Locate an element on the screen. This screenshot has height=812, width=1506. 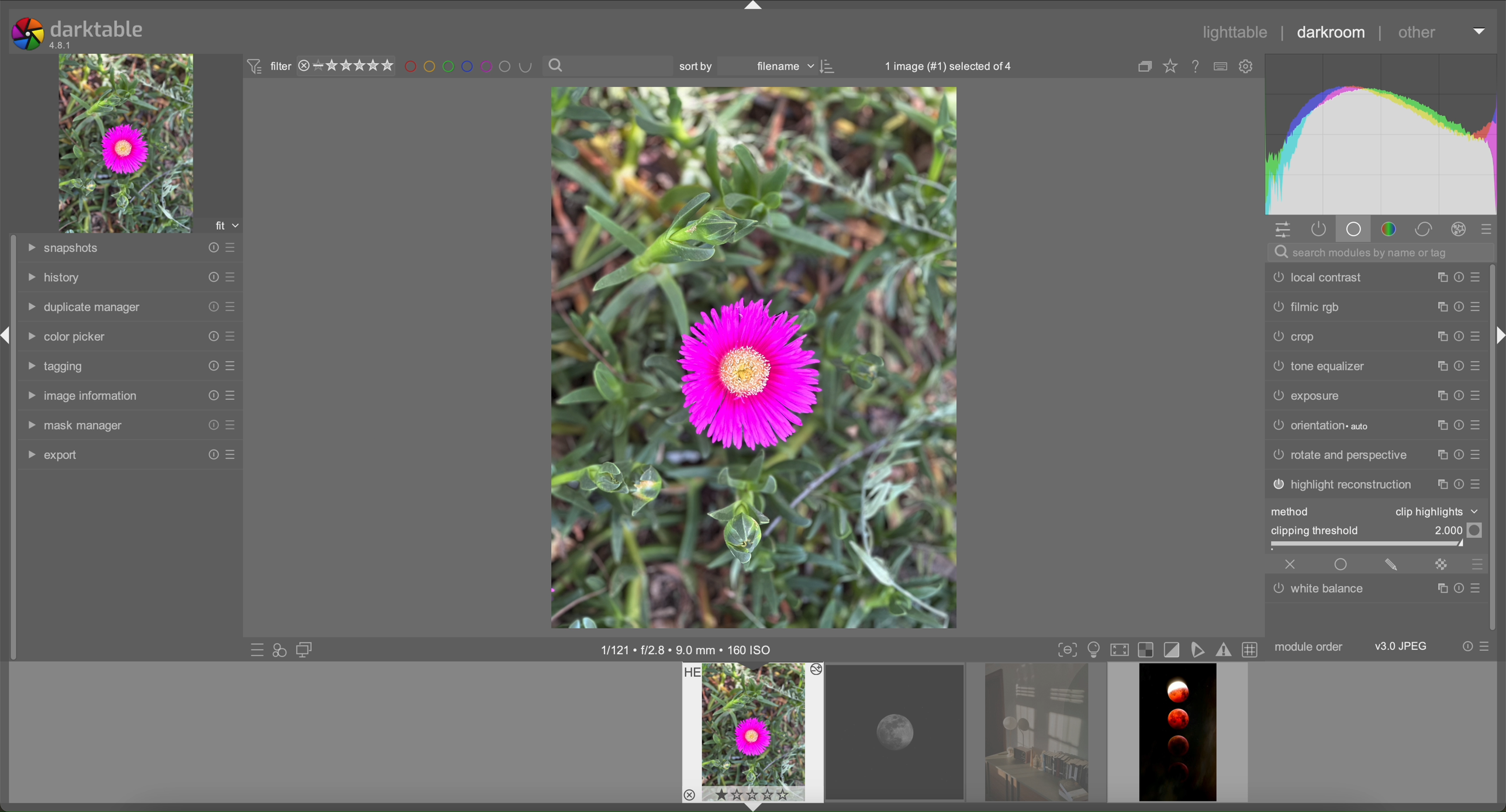
close is located at coordinates (1291, 565).